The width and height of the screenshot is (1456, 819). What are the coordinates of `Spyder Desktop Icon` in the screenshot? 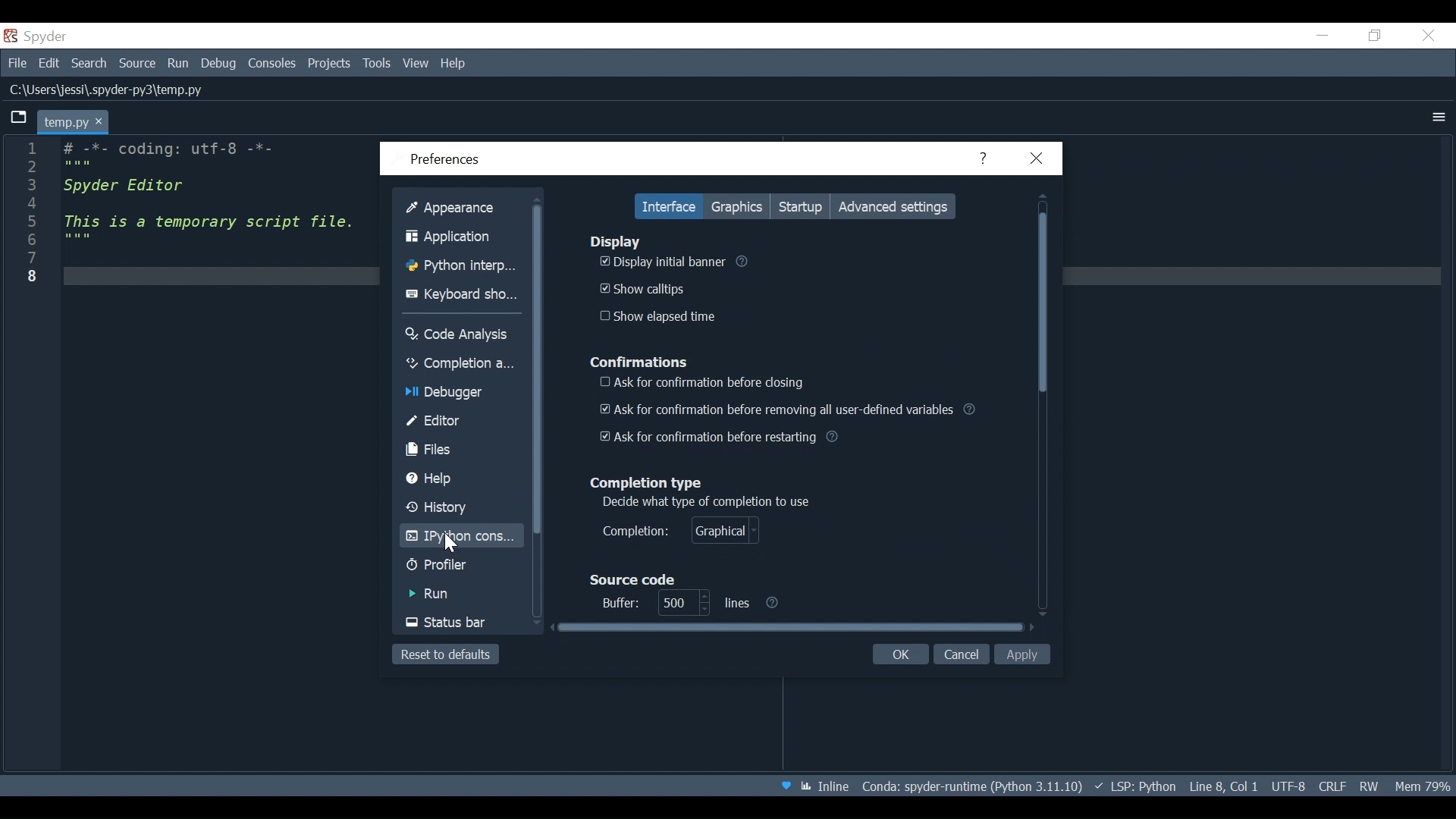 It's located at (38, 36).